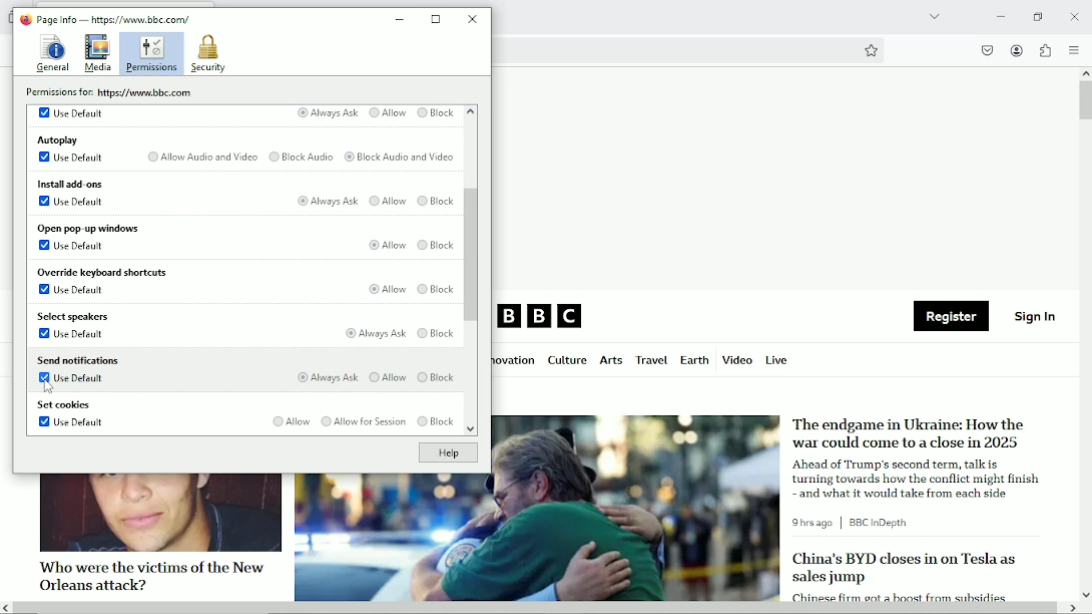 The image size is (1092, 614). What do you see at coordinates (72, 424) in the screenshot?
I see `Use default` at bounding box center [72, 424].